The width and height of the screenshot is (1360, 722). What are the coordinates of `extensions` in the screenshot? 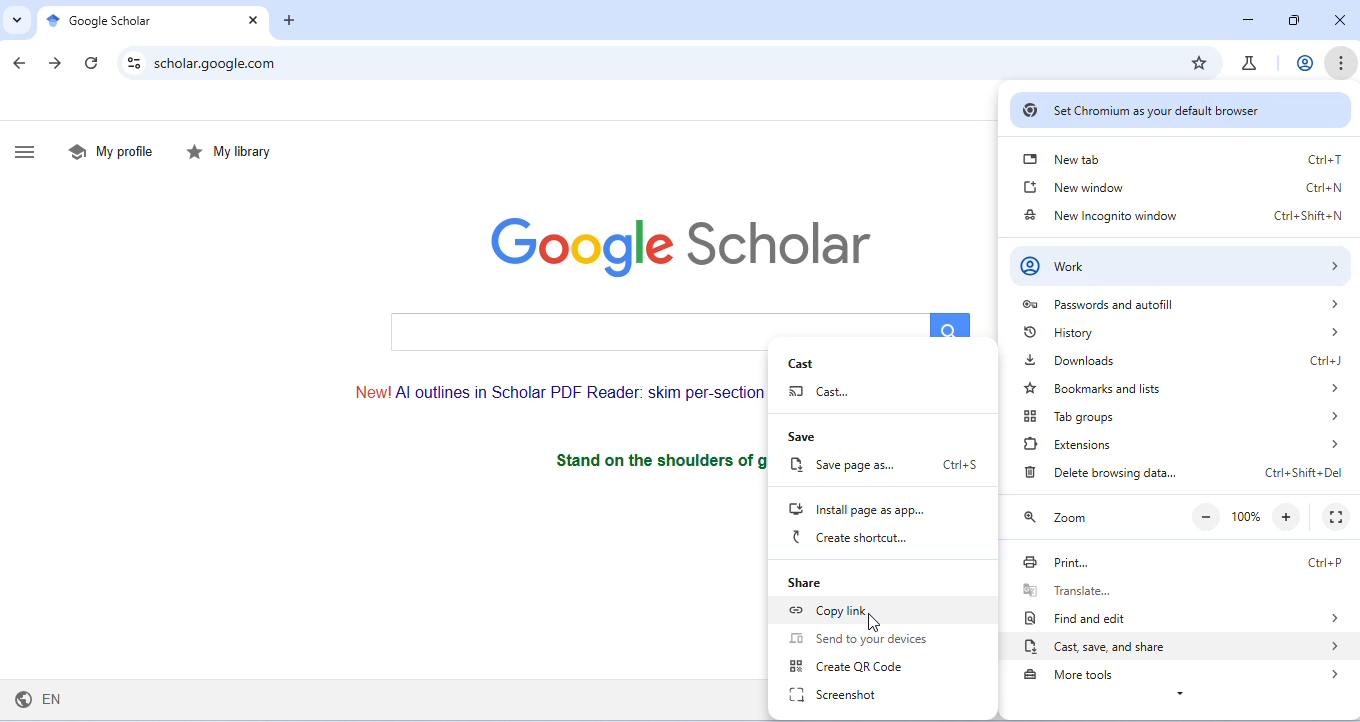 It's located at (1181, 444).